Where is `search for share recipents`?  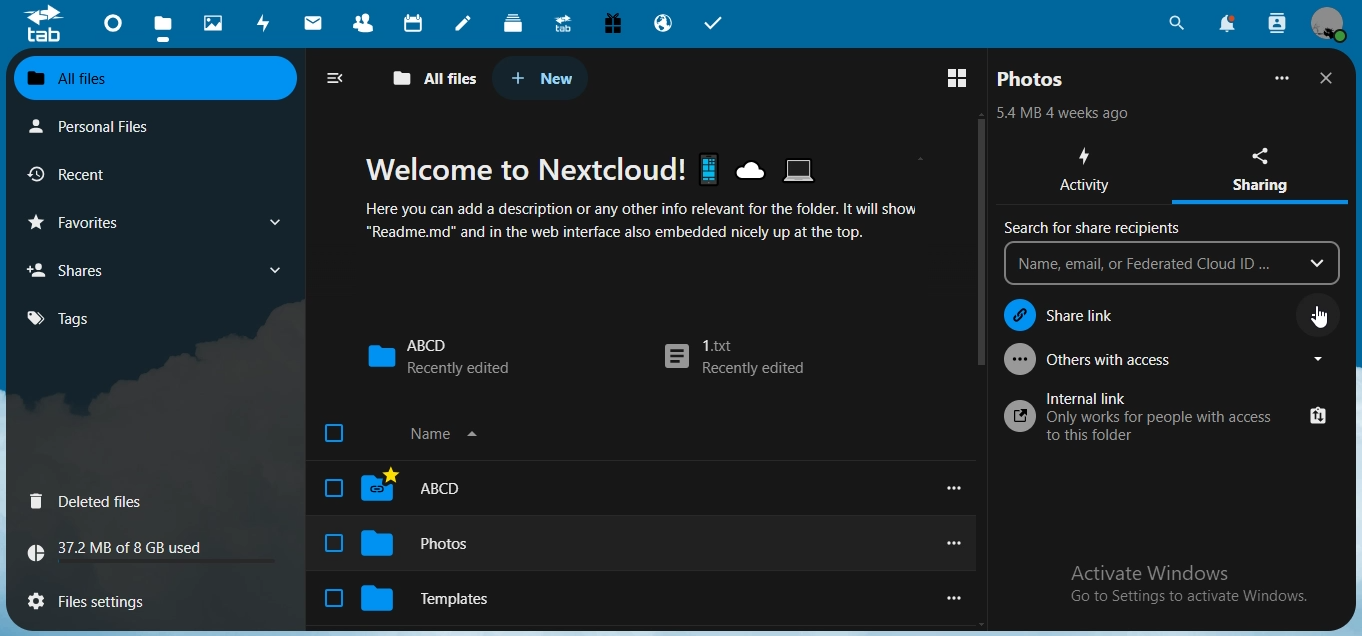
search for share recipents is located at coordinates (1097, 230).